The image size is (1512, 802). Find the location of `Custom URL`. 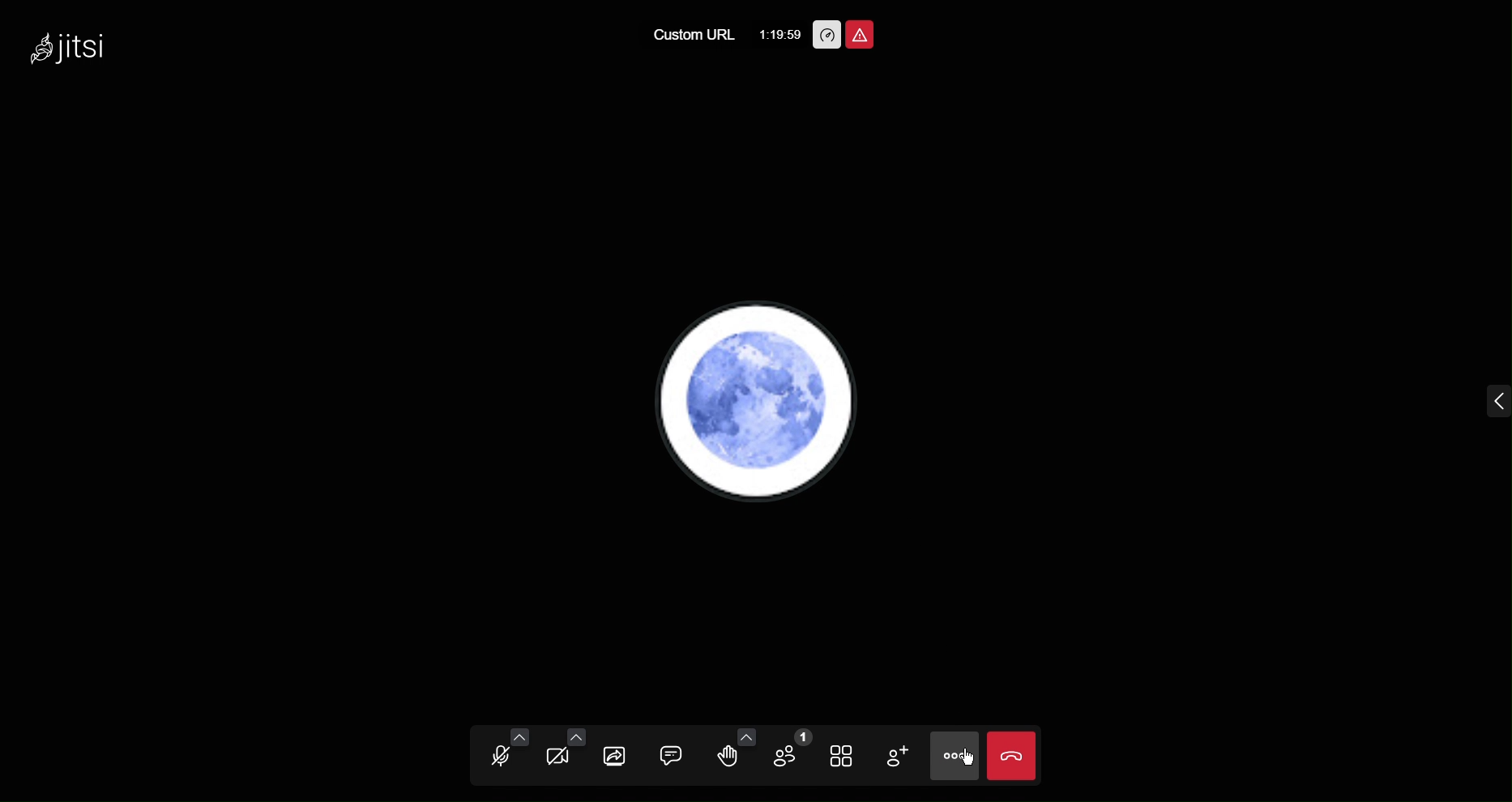

Custom URL is located at coordinates (698, 34).